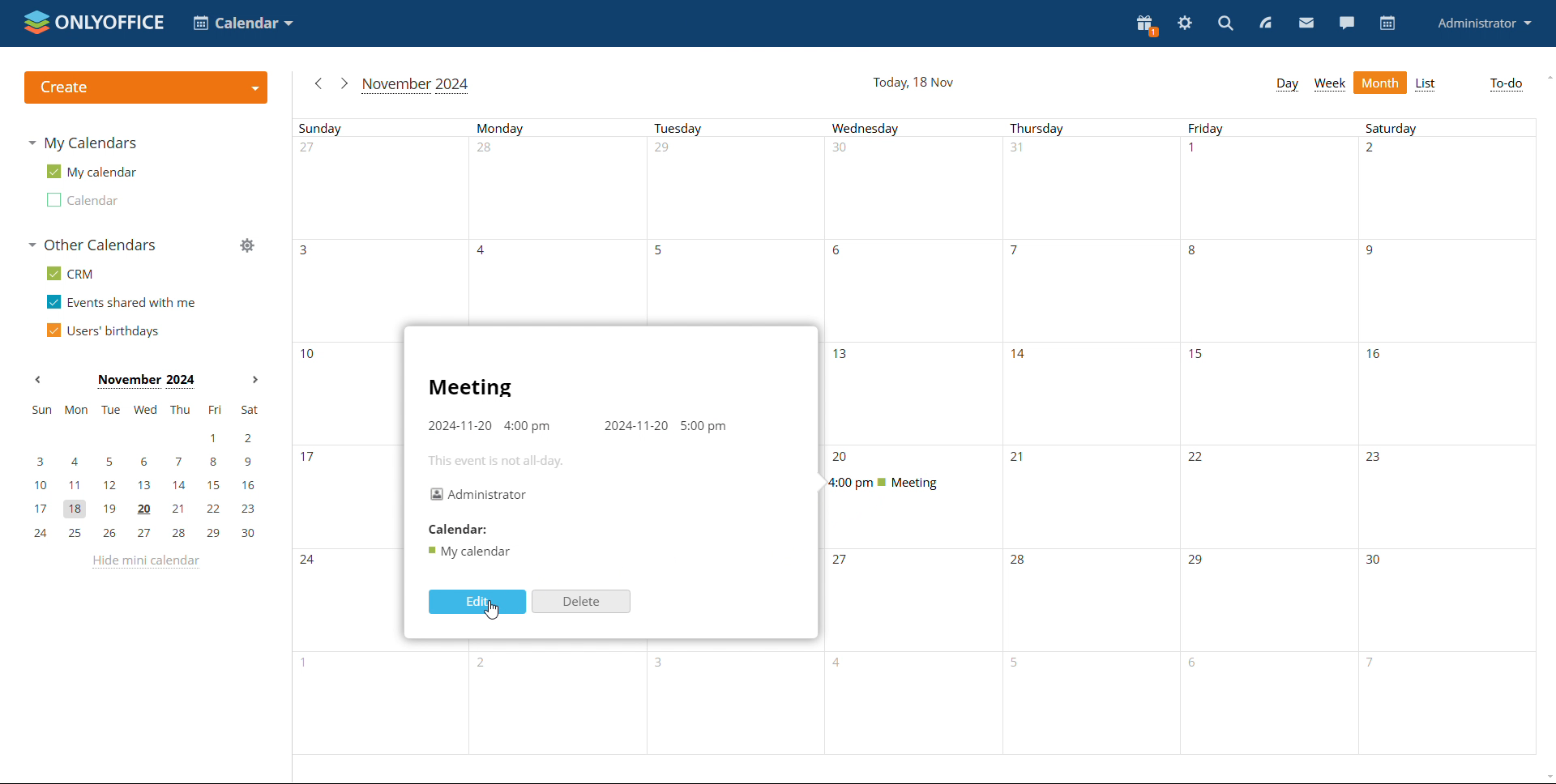  I want to click on to-do, so click(1505, 85).